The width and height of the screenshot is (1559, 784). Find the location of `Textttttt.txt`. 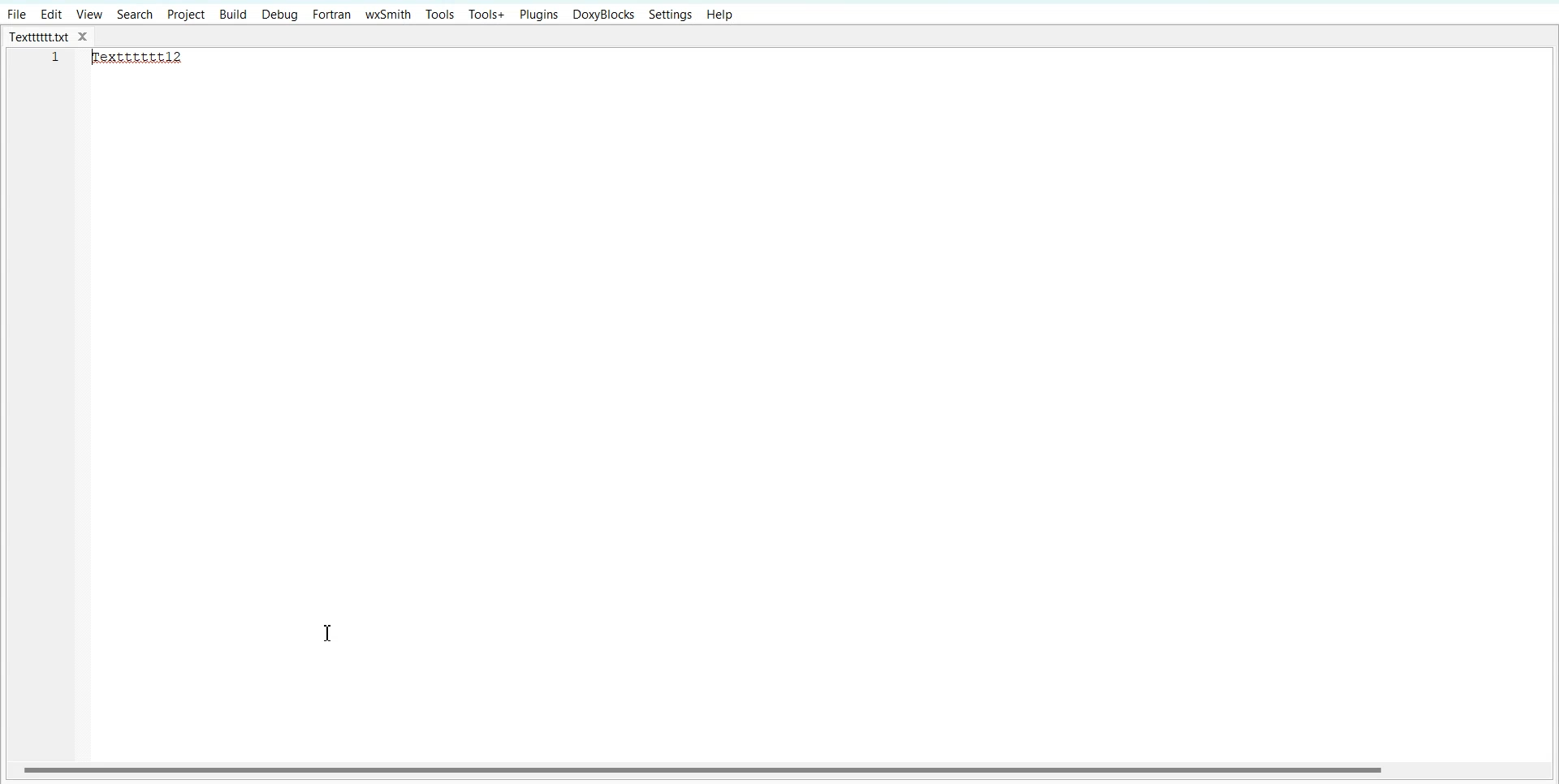

Textttttt.txt is located at coordinates (39, 37).